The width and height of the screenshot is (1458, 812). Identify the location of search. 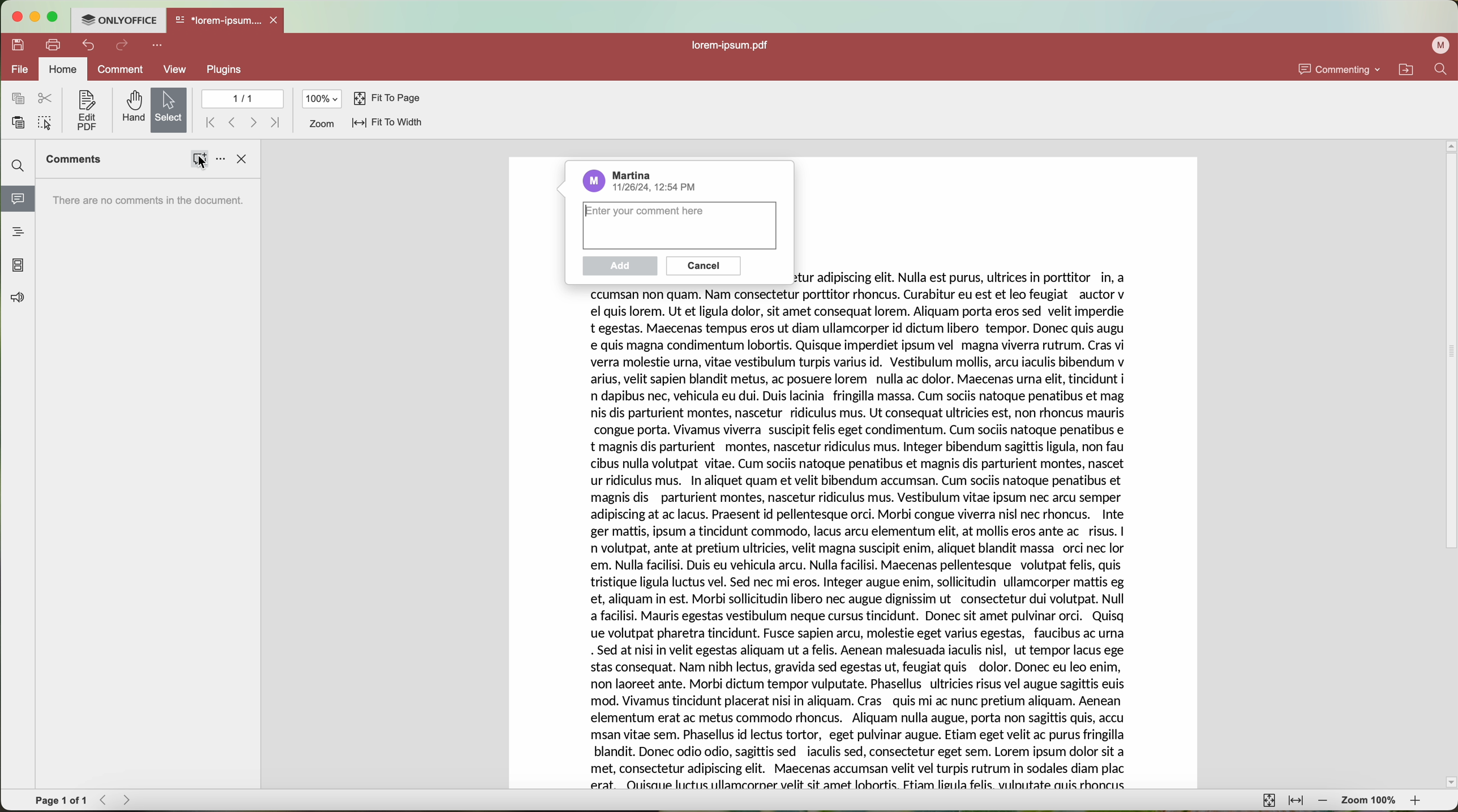
(1444, 68).